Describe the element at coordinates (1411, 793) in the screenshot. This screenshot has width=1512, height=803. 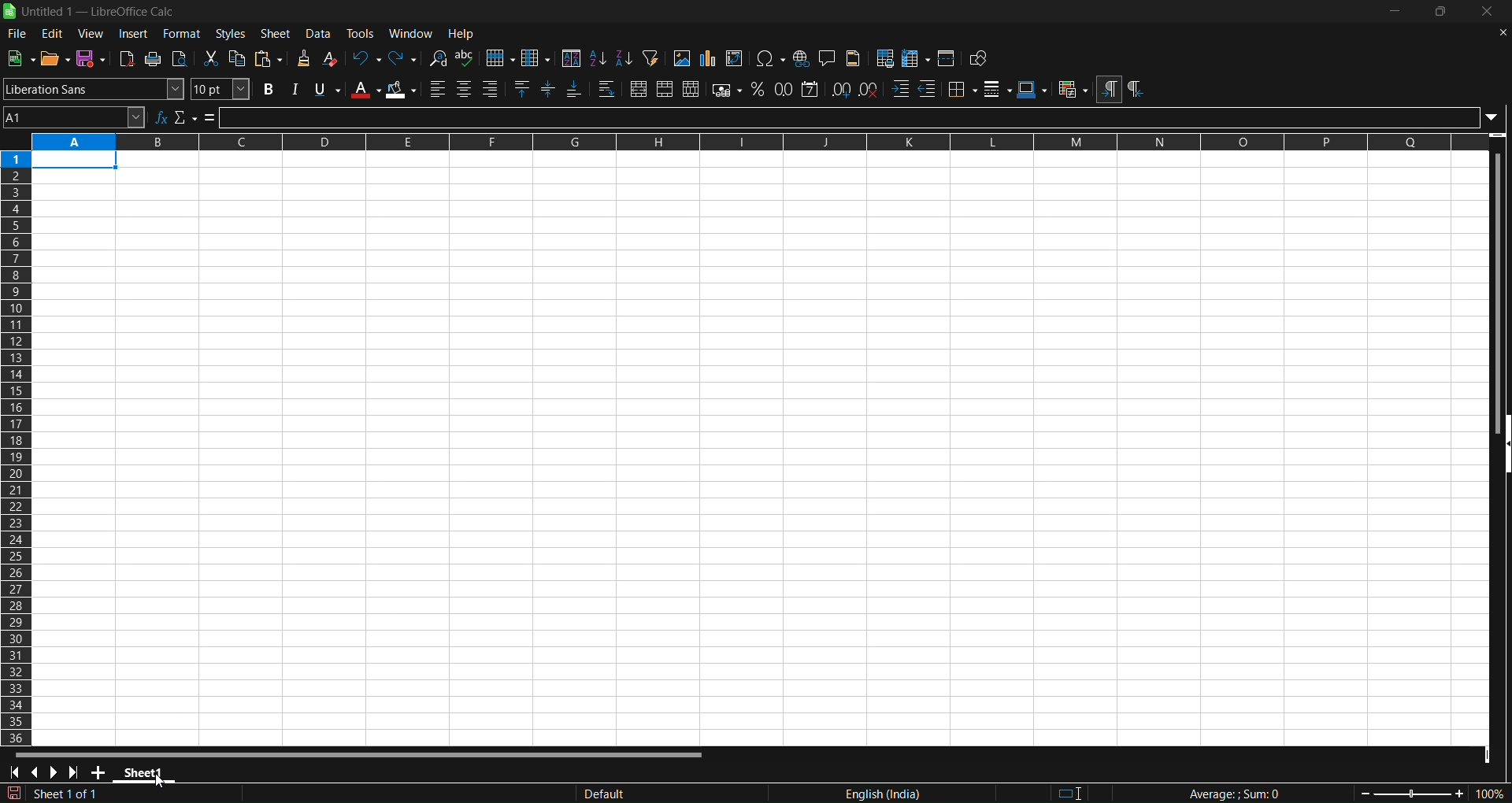
I see `zoom factor` at that location.